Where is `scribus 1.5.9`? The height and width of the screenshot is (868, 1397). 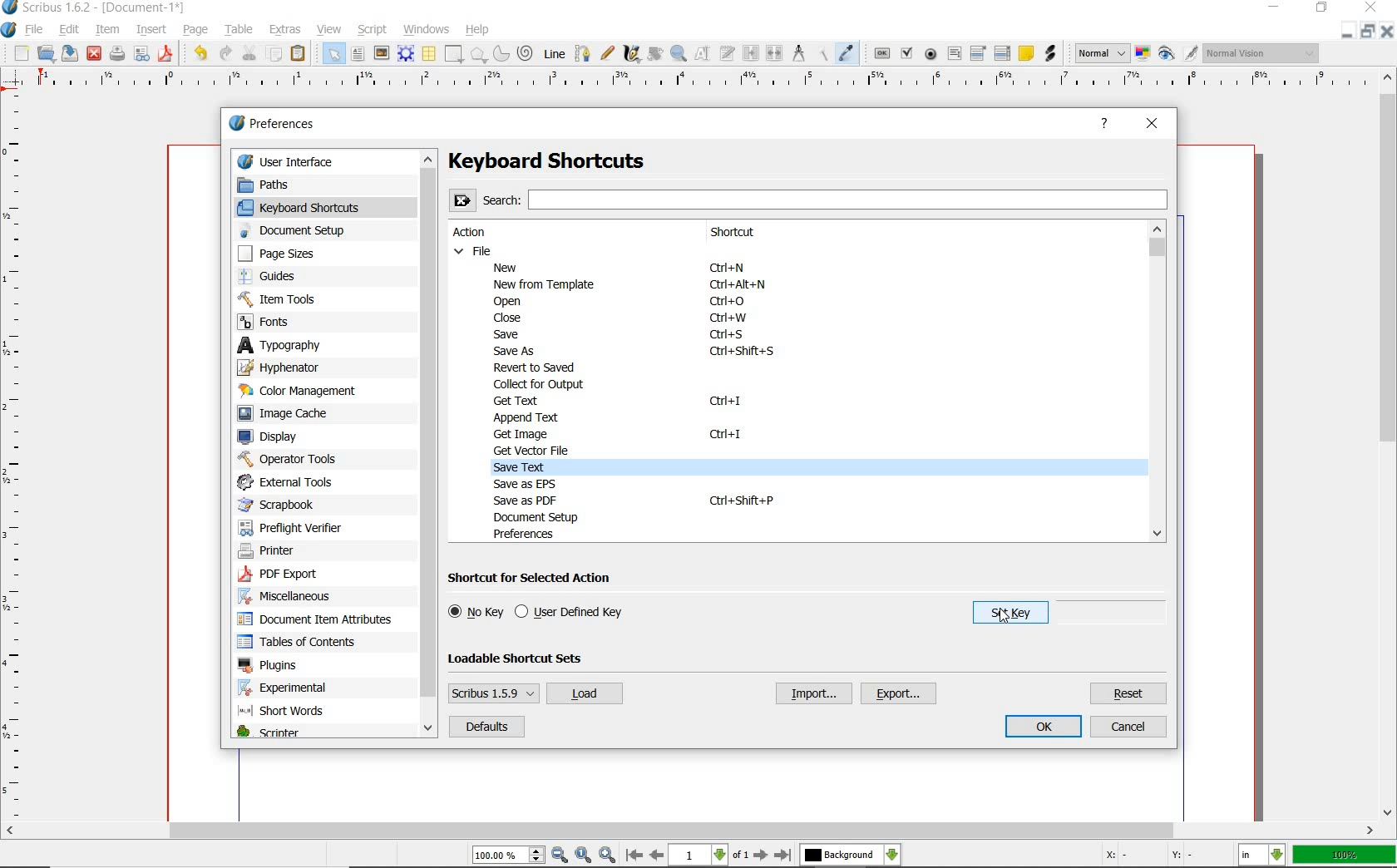
scribus 1.5.9 is located at coordinates (492, 693).